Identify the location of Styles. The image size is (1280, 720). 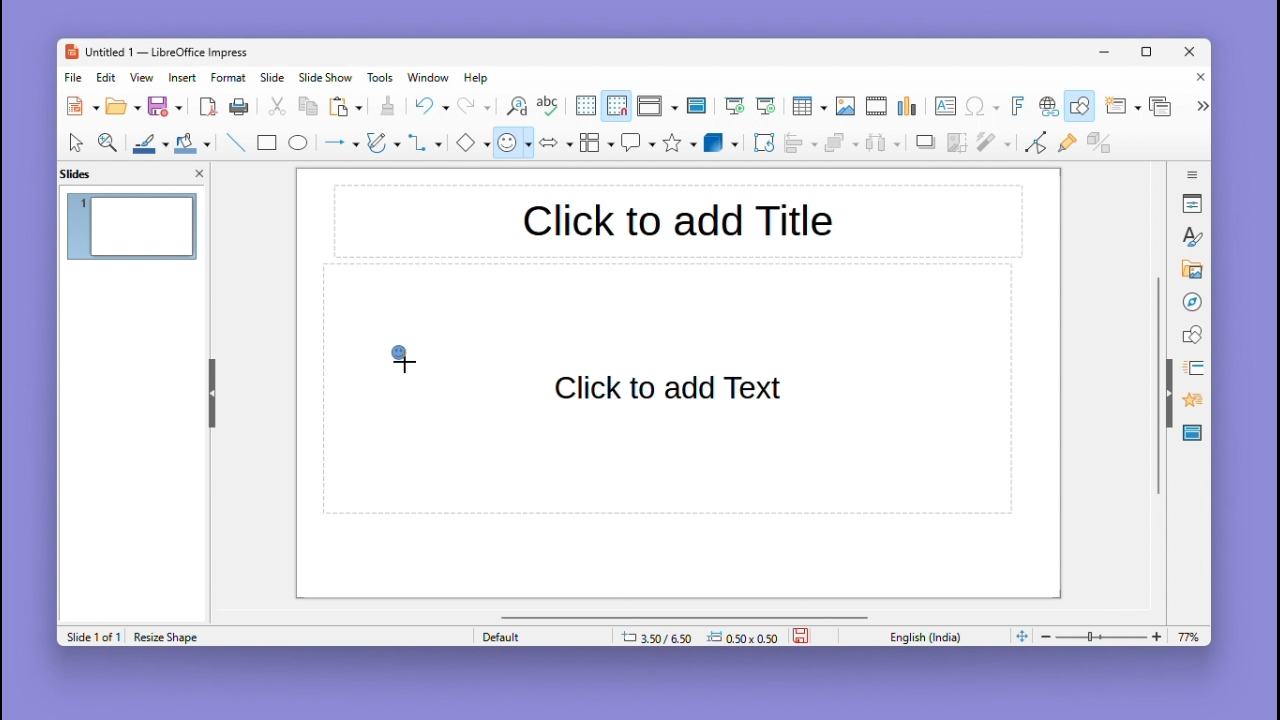
(1194, 236).